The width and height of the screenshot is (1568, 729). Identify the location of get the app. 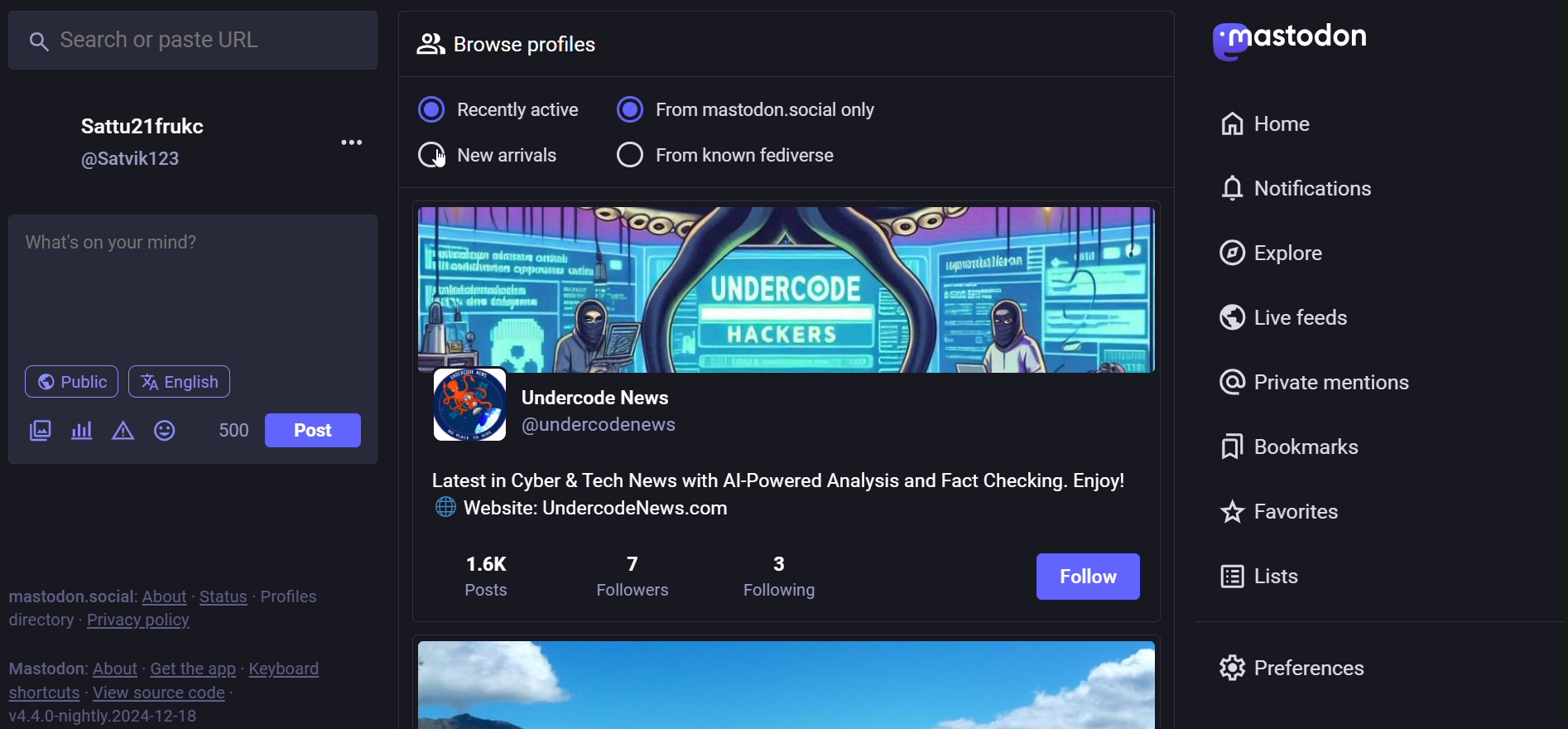
(189, 668).